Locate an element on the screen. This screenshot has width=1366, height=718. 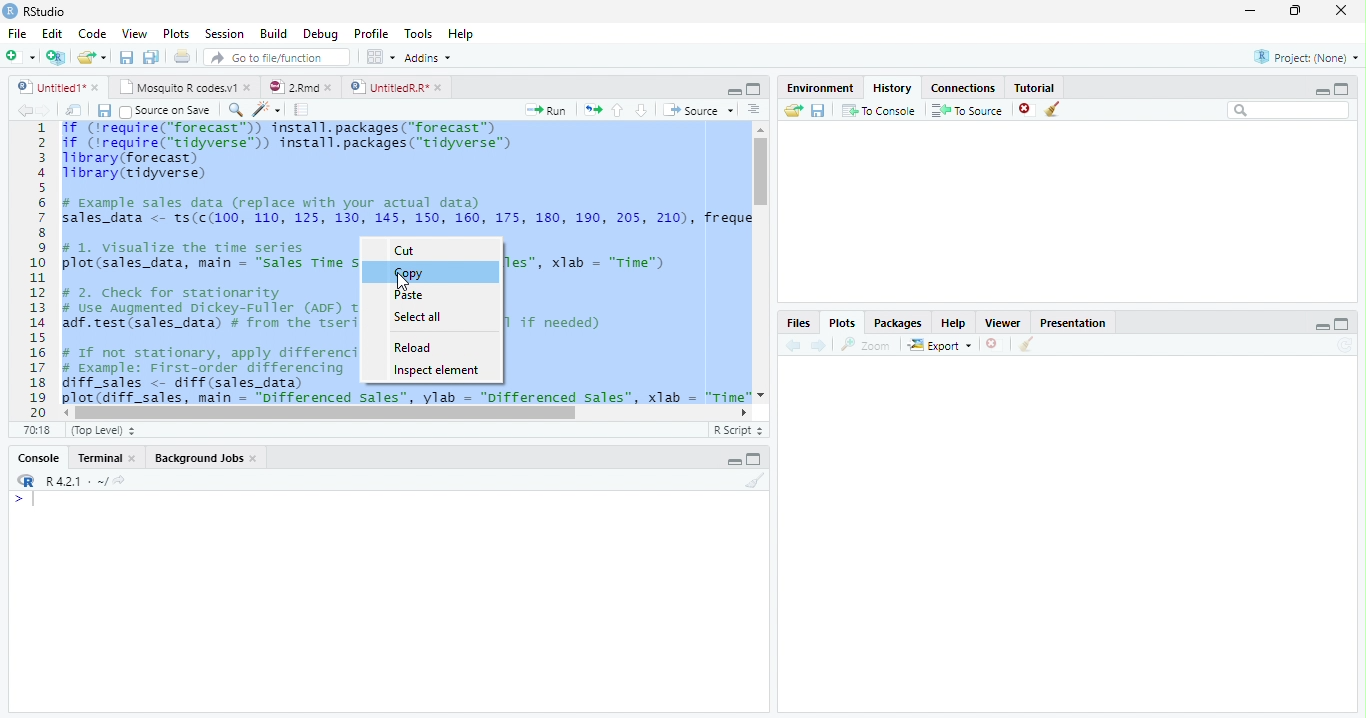
Clean is located at coordinates (753, 481).